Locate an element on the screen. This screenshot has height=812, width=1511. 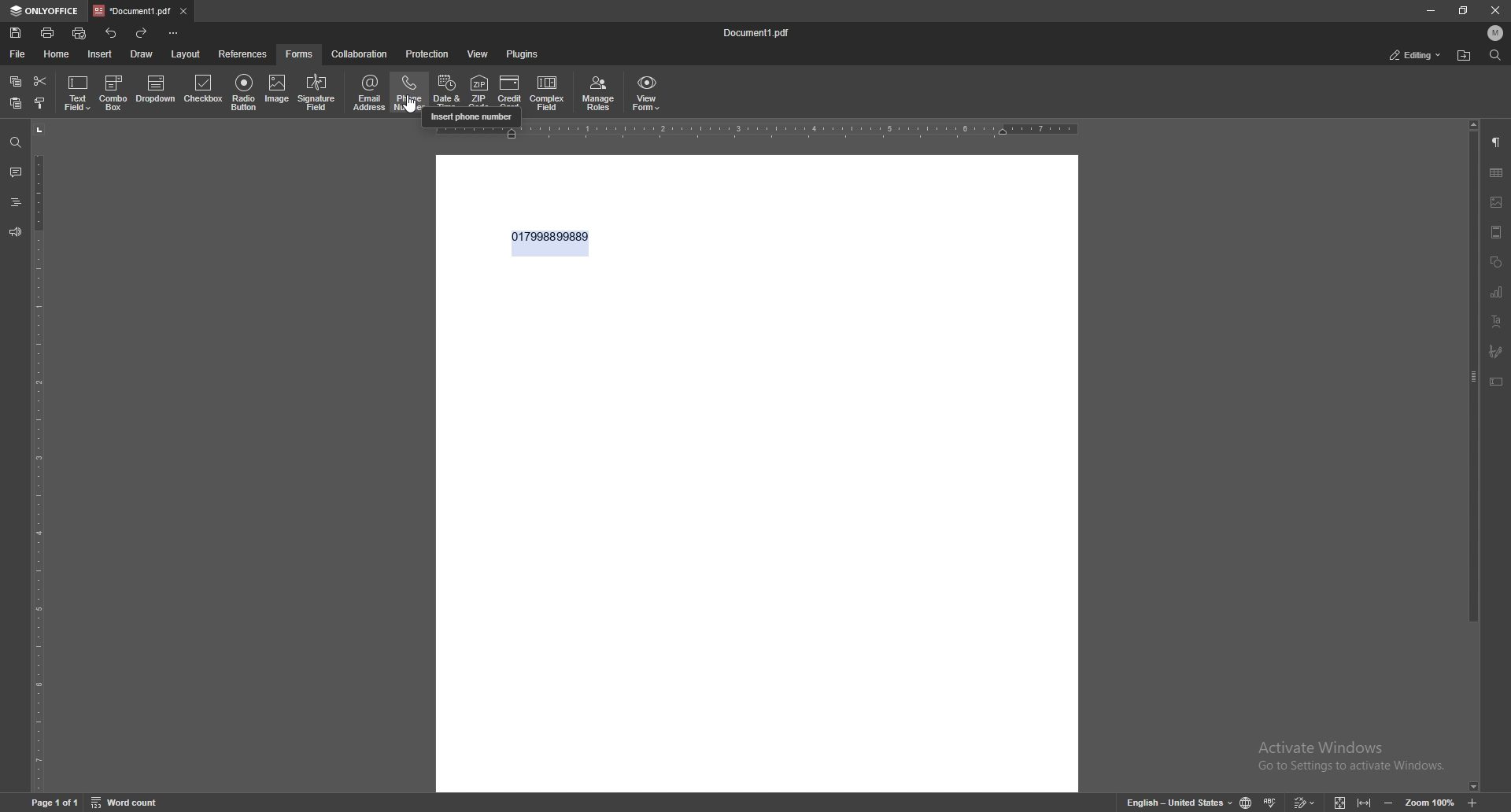
image is located at coordinates (278, 91).